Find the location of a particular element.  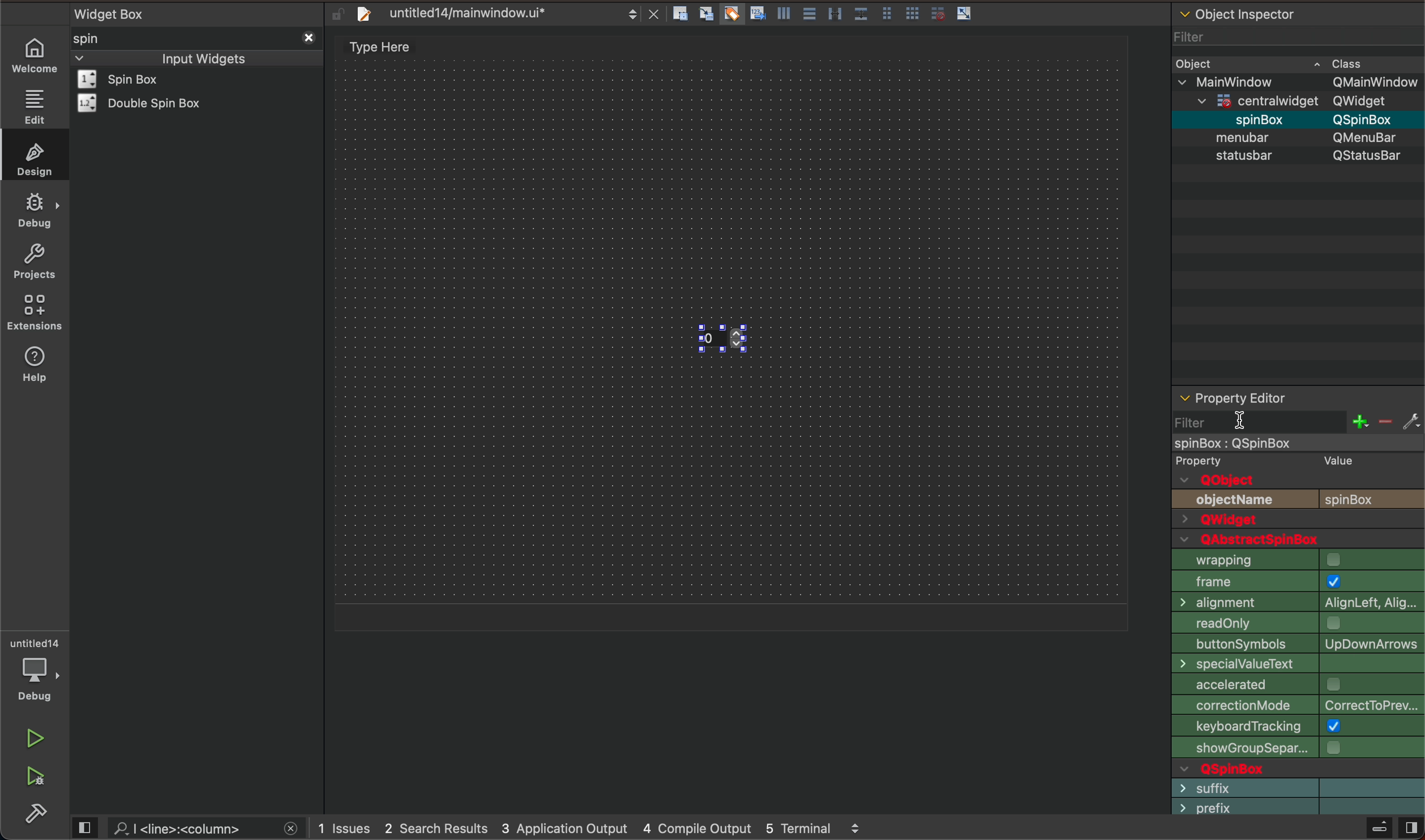

help is located at coordinates (40, 371).